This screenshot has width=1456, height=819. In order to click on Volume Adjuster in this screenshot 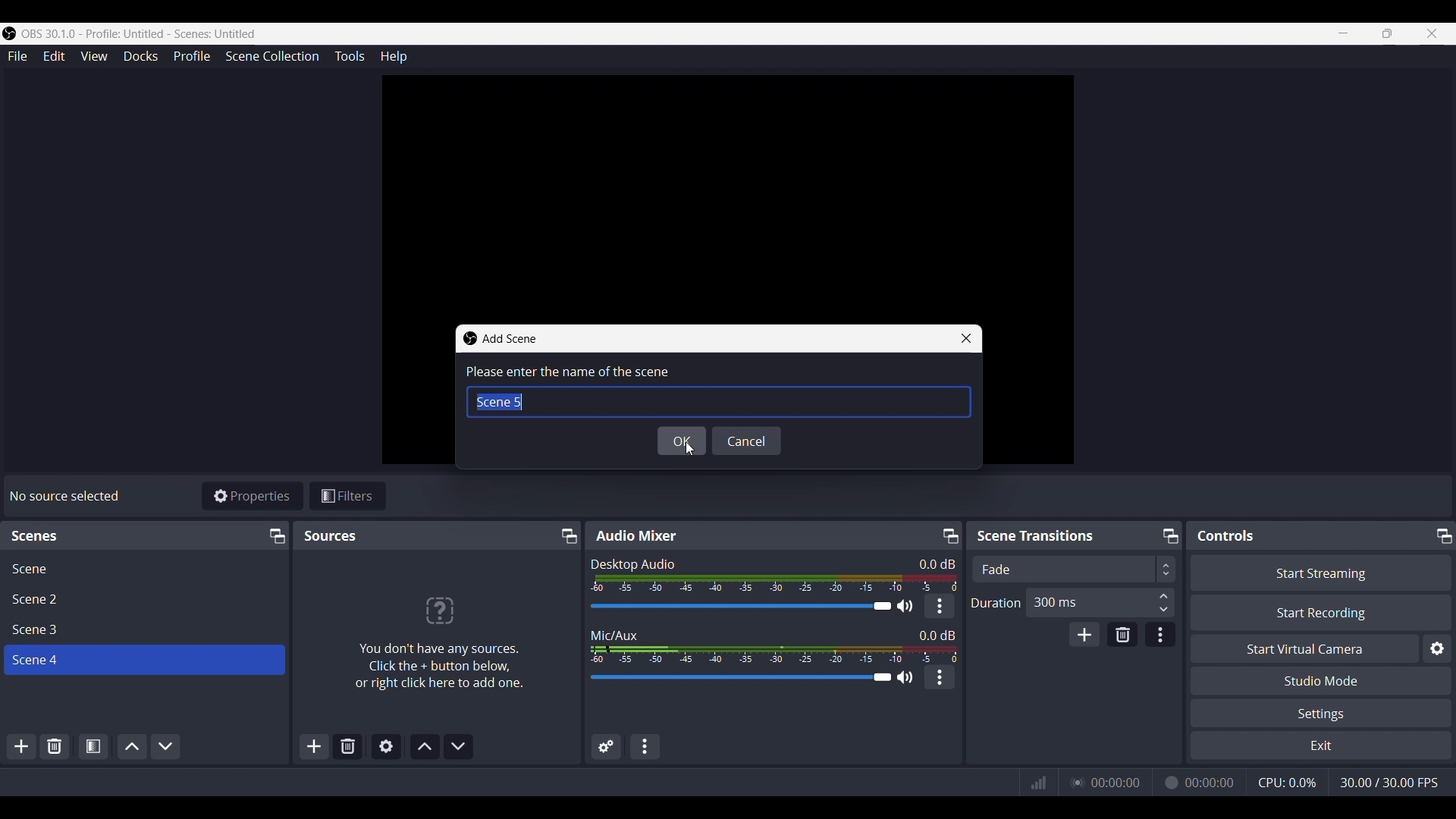, I will do `click(750, 607)`.